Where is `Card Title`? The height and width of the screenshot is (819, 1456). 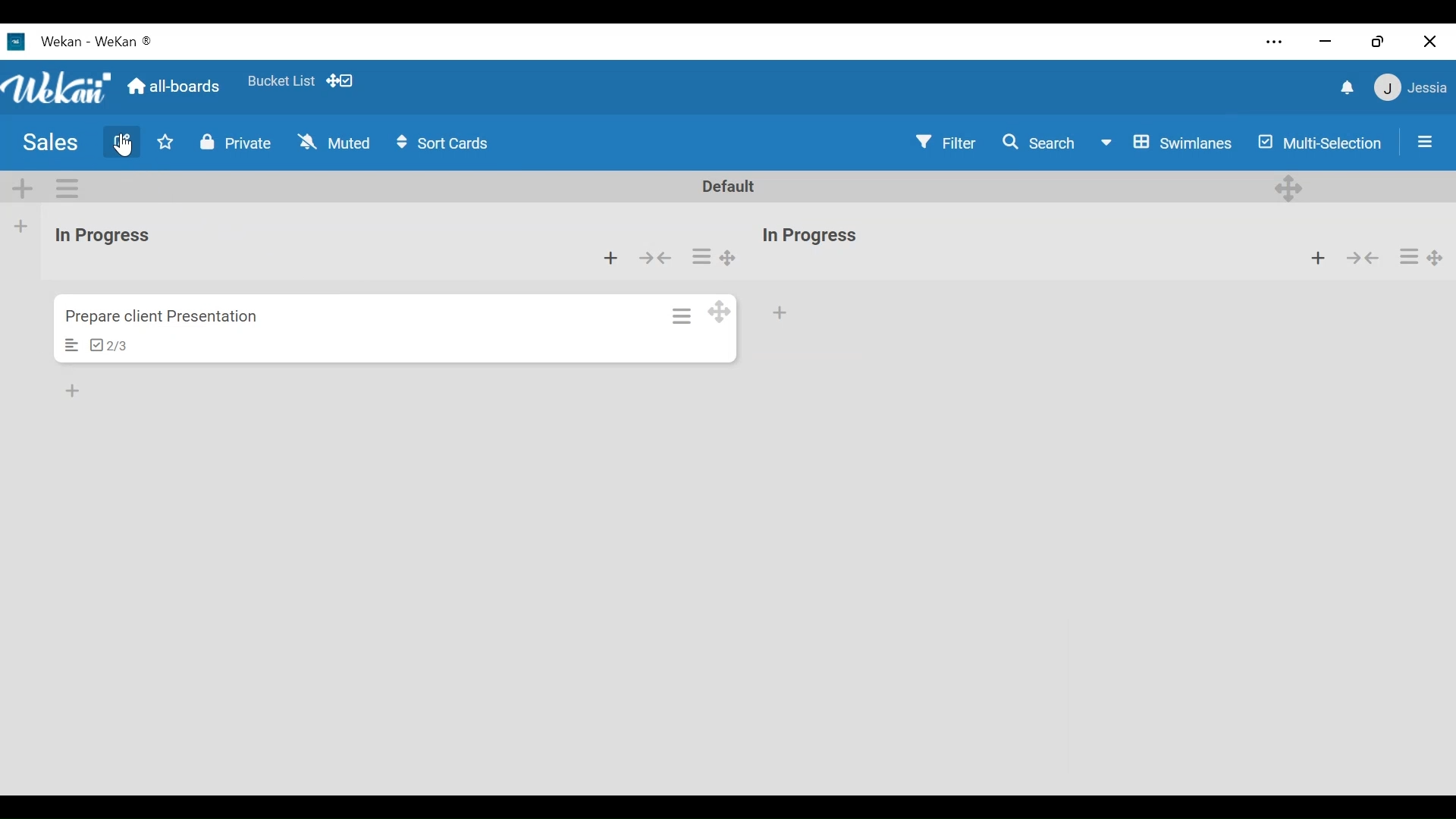
Card Title is located at coordinates (166, 318).